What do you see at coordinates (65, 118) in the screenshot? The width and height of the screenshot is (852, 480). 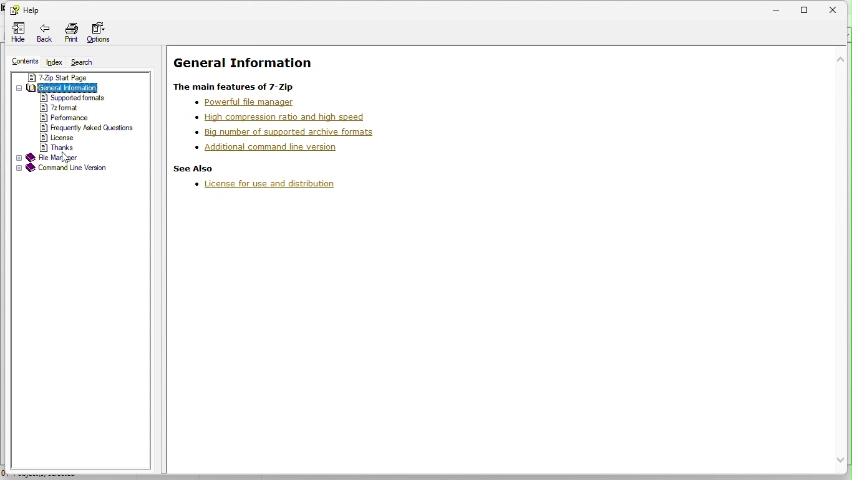 I see `Performance` at bounding box center [65, 118].